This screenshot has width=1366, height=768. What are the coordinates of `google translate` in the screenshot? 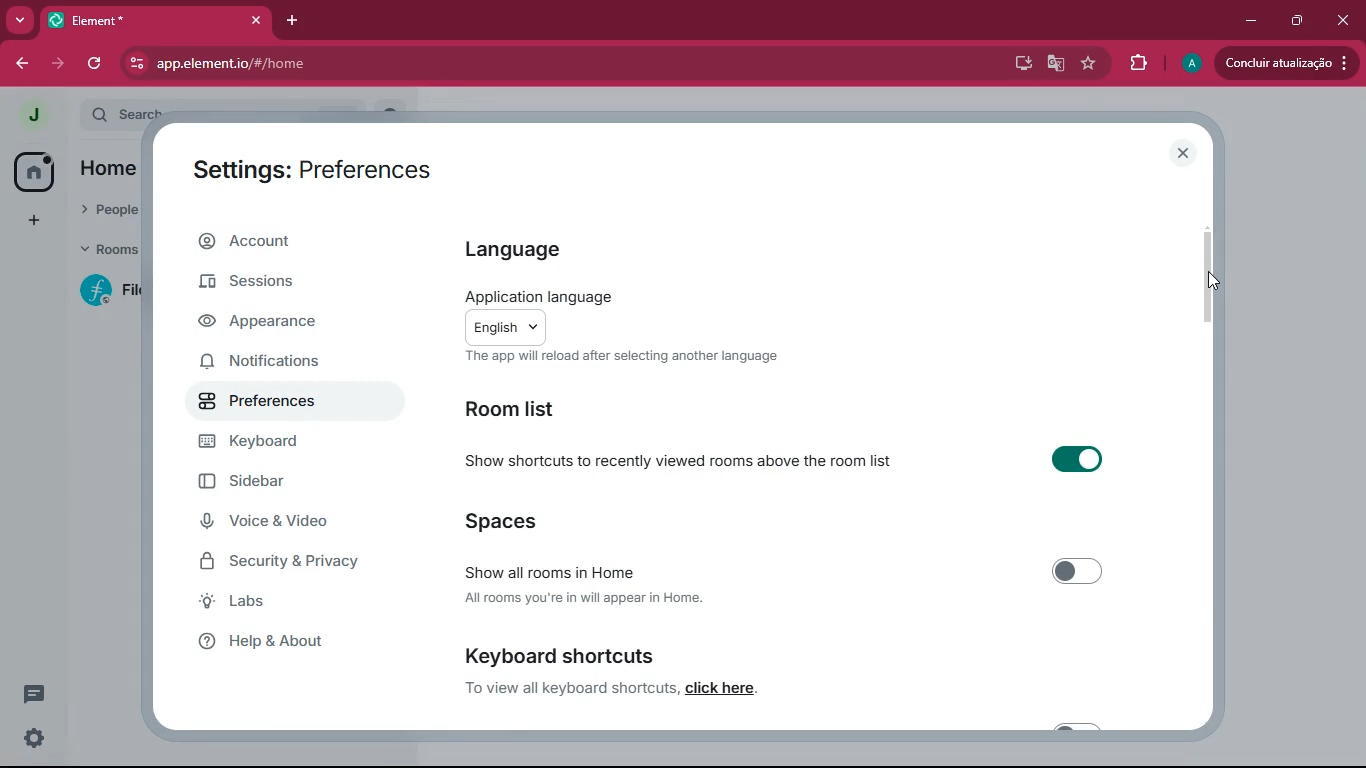 It's located at (1056, 63).